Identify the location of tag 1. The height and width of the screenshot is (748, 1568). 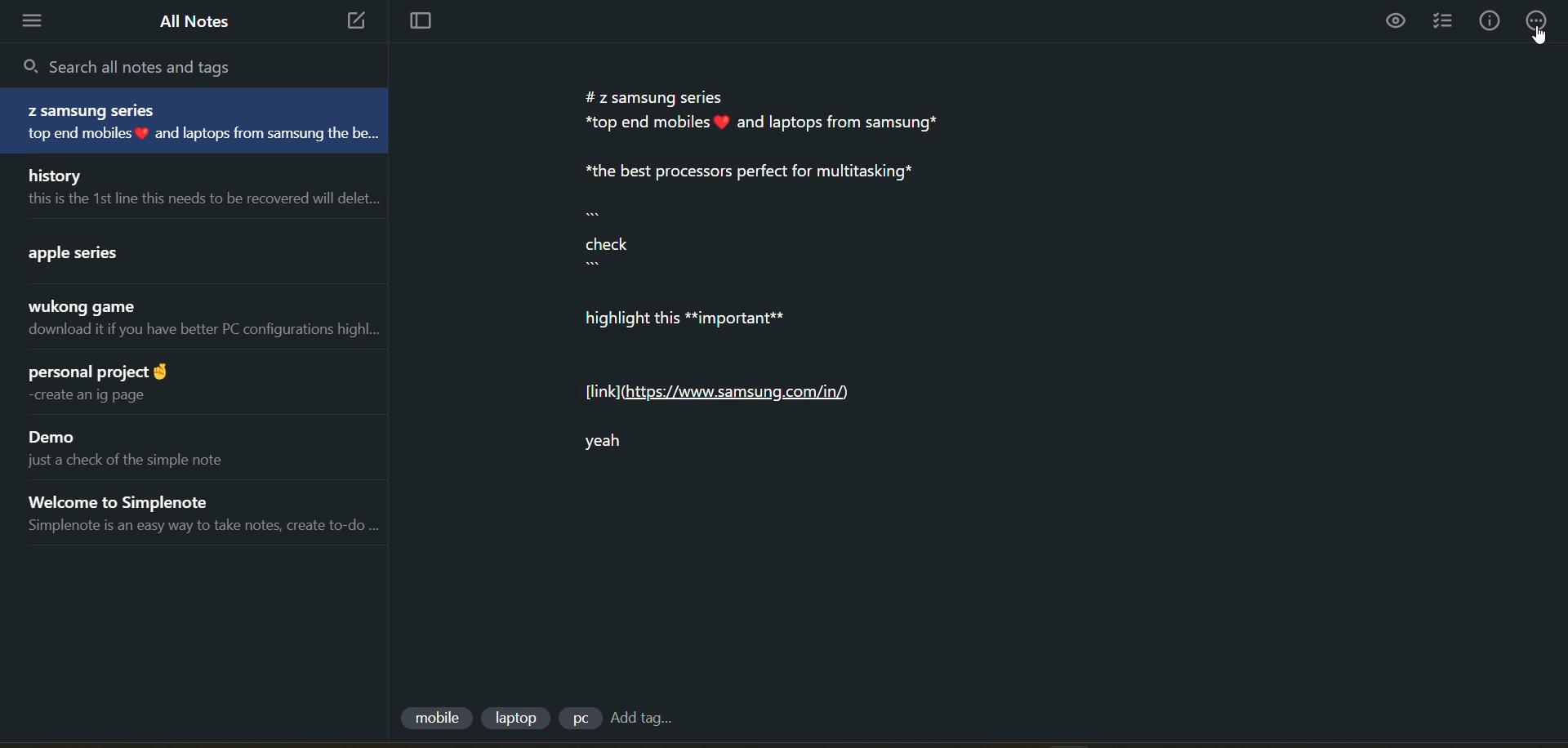
(435, 719).